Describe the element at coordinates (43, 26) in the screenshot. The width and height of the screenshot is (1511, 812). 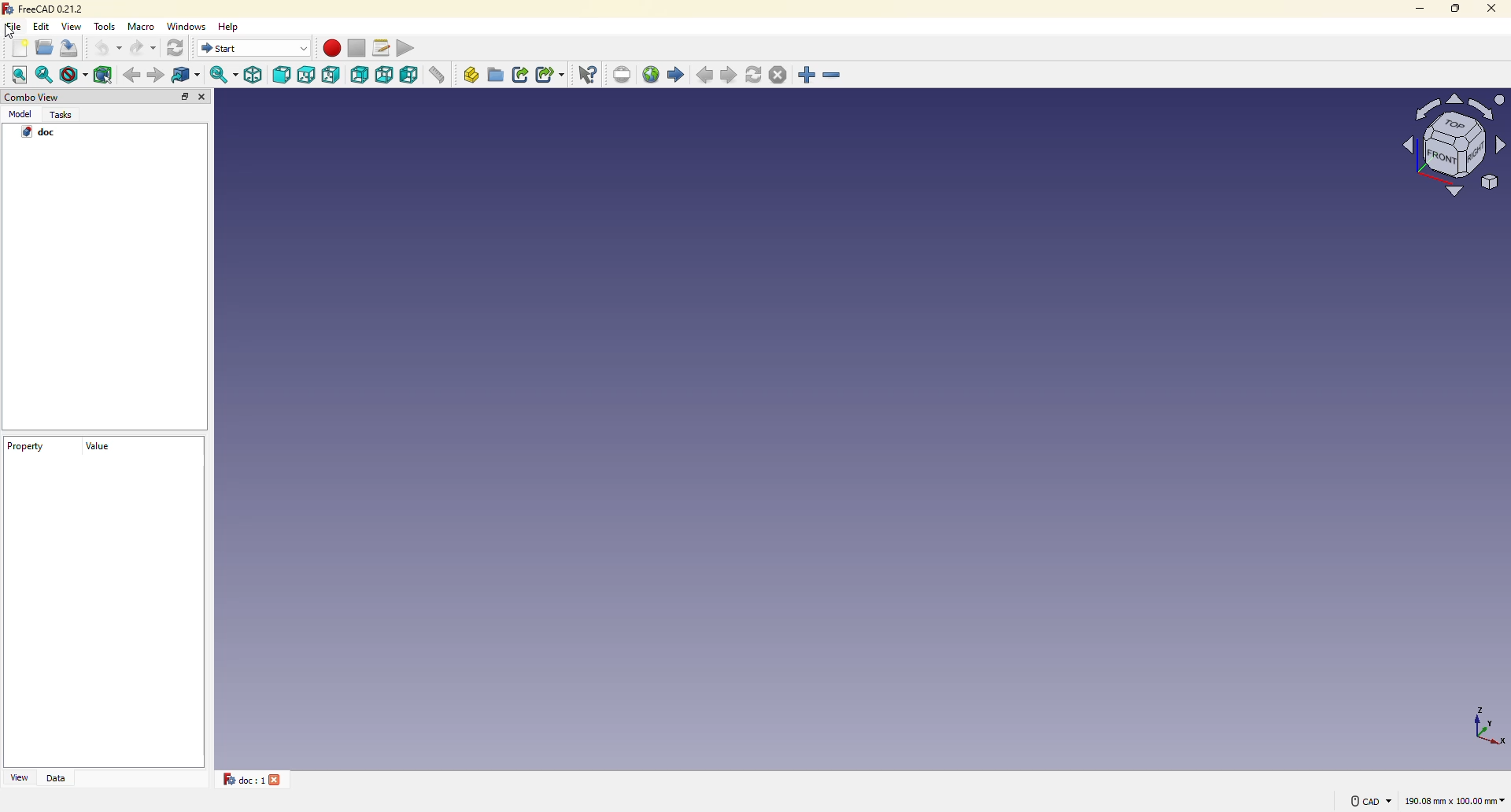
I see `edit` at that location.